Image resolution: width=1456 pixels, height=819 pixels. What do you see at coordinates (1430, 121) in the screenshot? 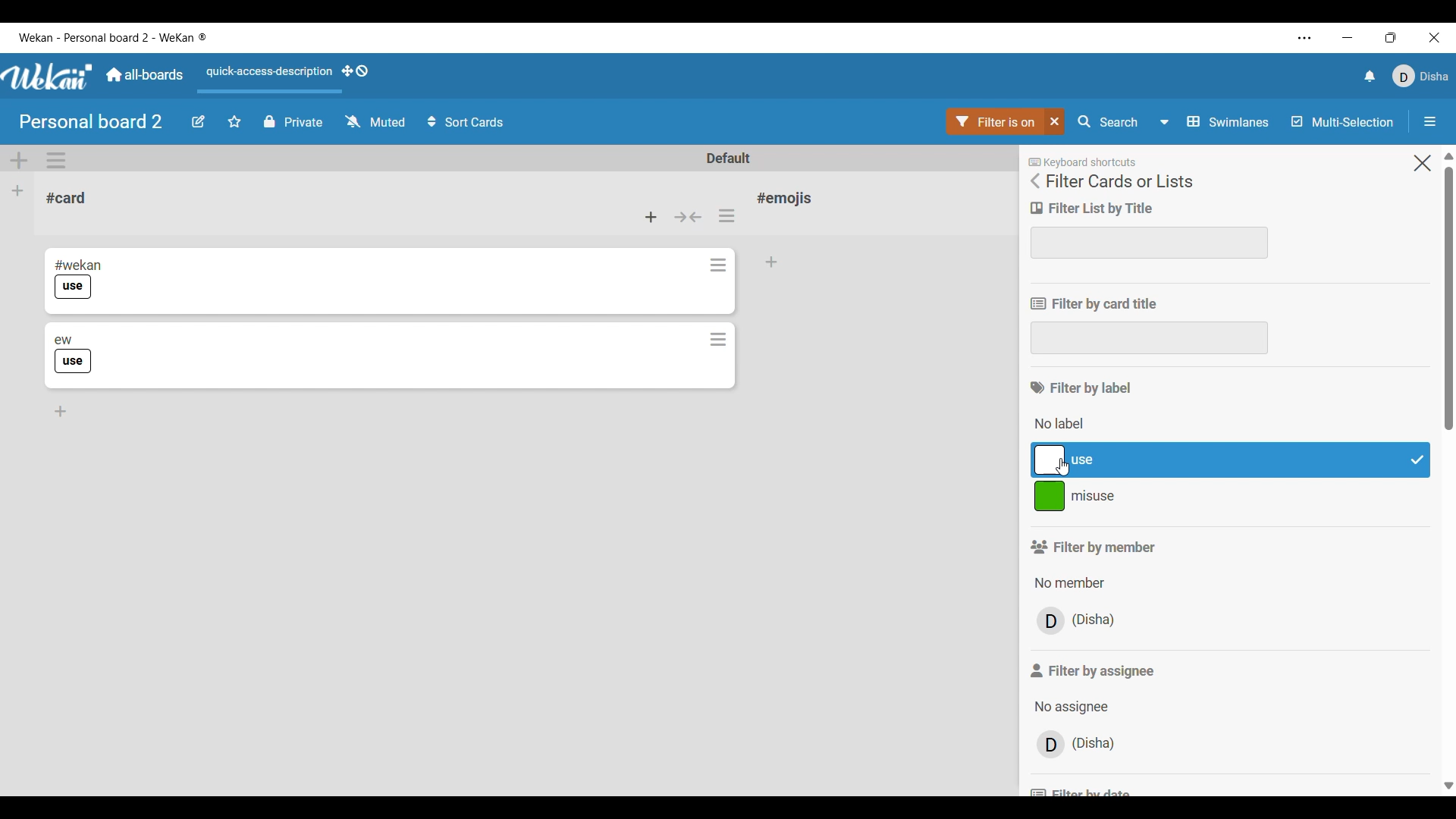
I see `Open/Close sidebar` at bounding box center [1430, 121].